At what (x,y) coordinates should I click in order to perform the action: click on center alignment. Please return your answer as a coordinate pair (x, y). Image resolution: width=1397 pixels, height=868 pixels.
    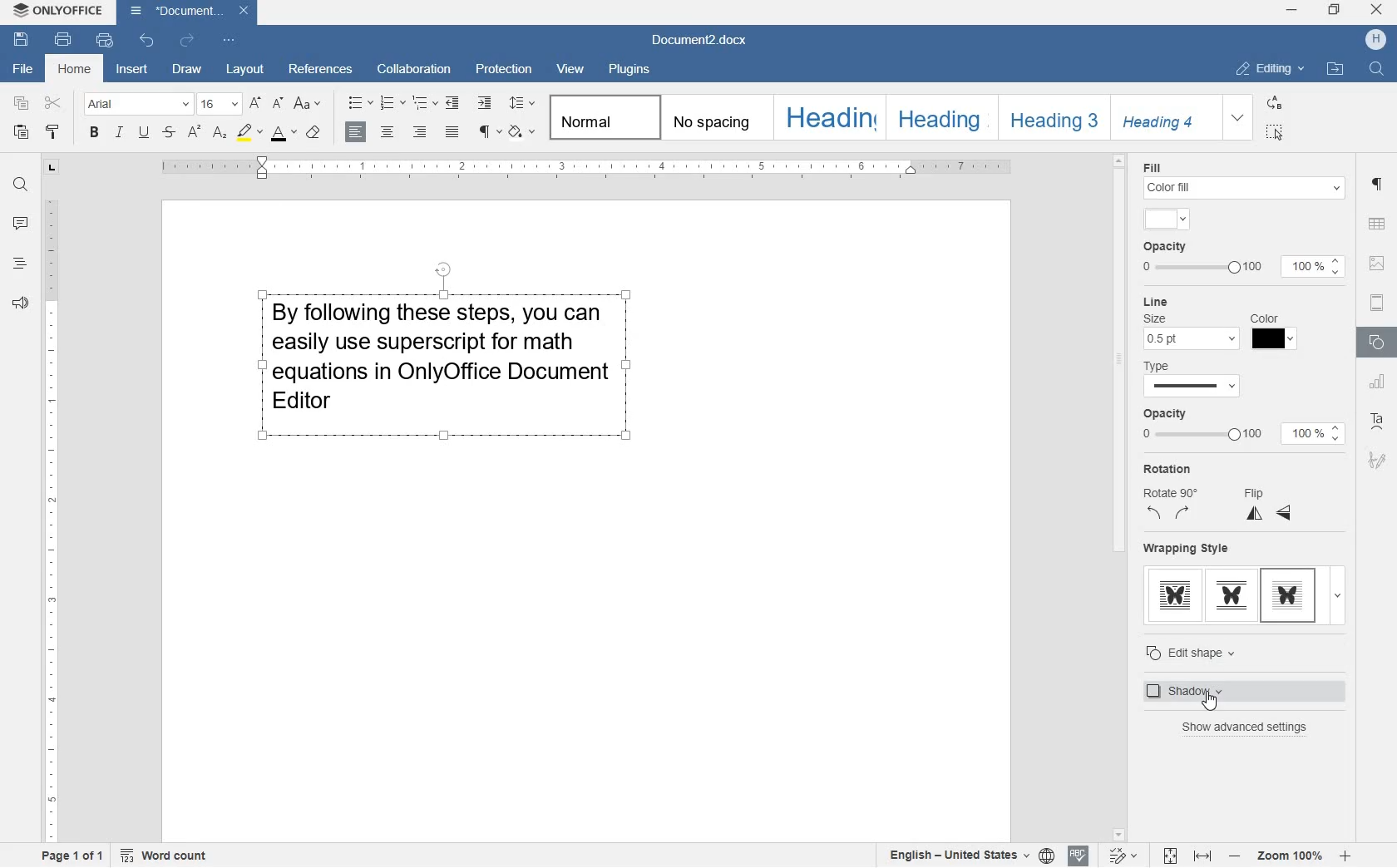
    Looking at the image, I should click on (388, 133).